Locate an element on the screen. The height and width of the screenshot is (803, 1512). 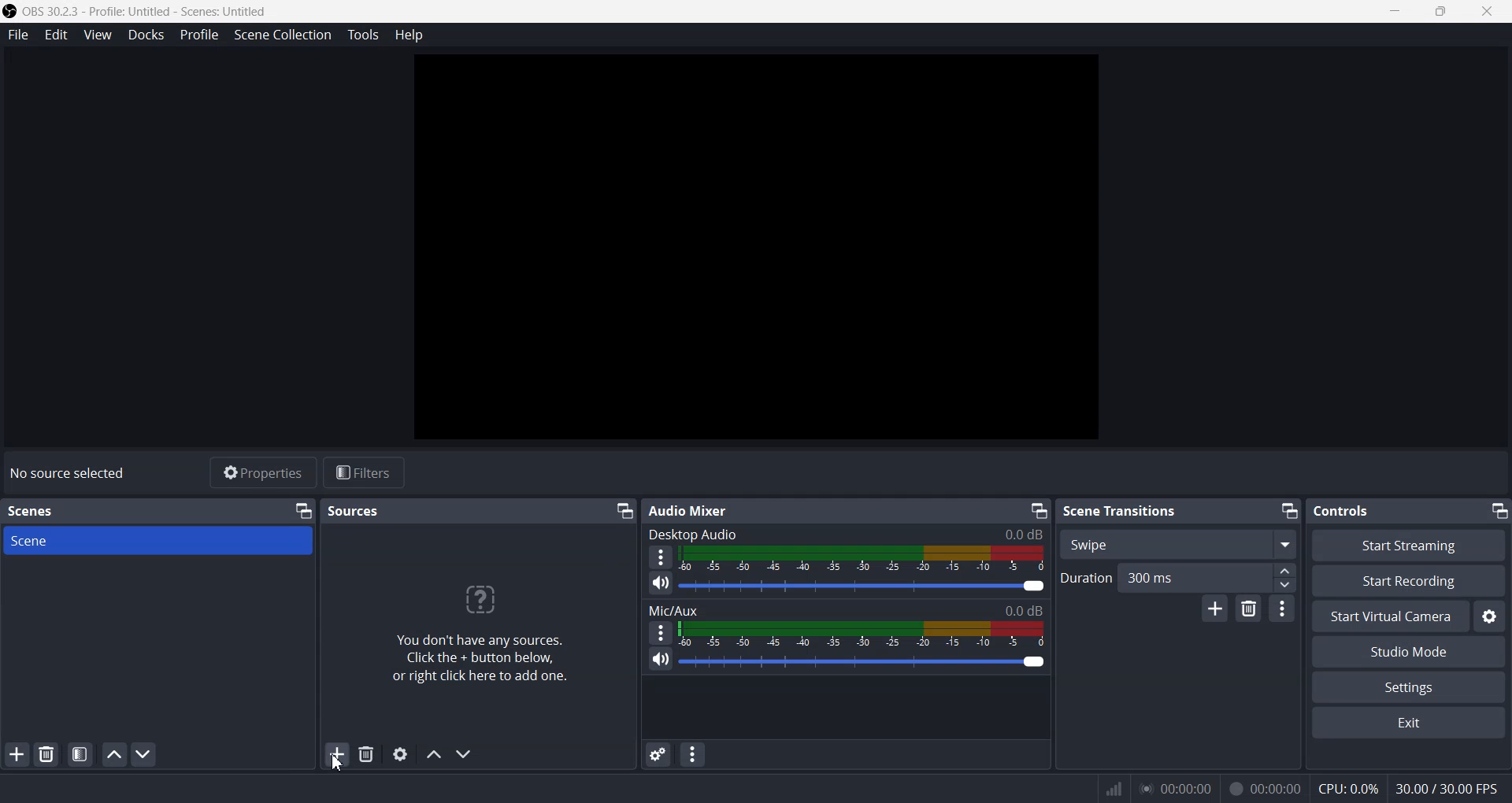
Text is located at coordinates (353, 512).